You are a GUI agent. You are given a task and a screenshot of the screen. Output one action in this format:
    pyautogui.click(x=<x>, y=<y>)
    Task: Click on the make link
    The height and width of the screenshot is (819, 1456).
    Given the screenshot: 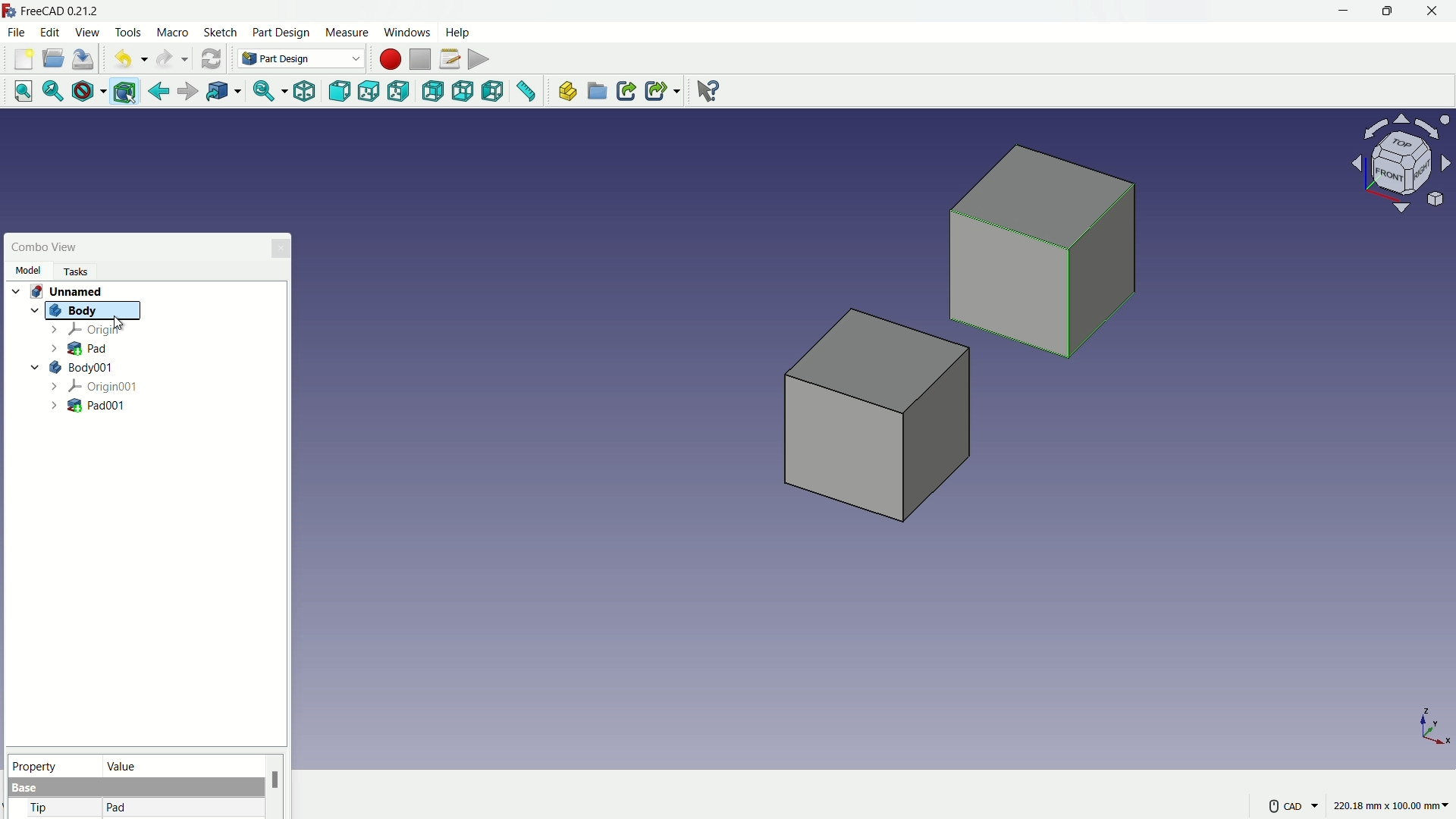 What is the action you would take?
    pyautogui.click(x=626, y=93)
    